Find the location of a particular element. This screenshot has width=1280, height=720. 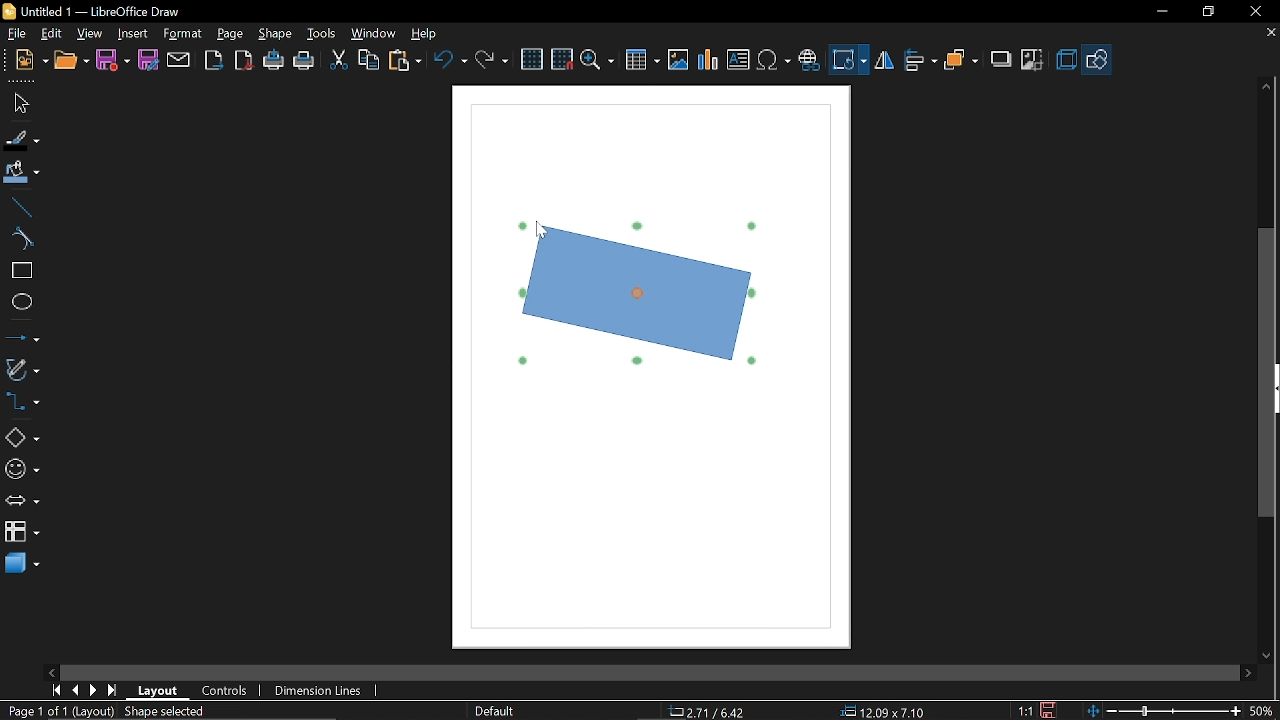

Redo is located at coordinates (490, 59).